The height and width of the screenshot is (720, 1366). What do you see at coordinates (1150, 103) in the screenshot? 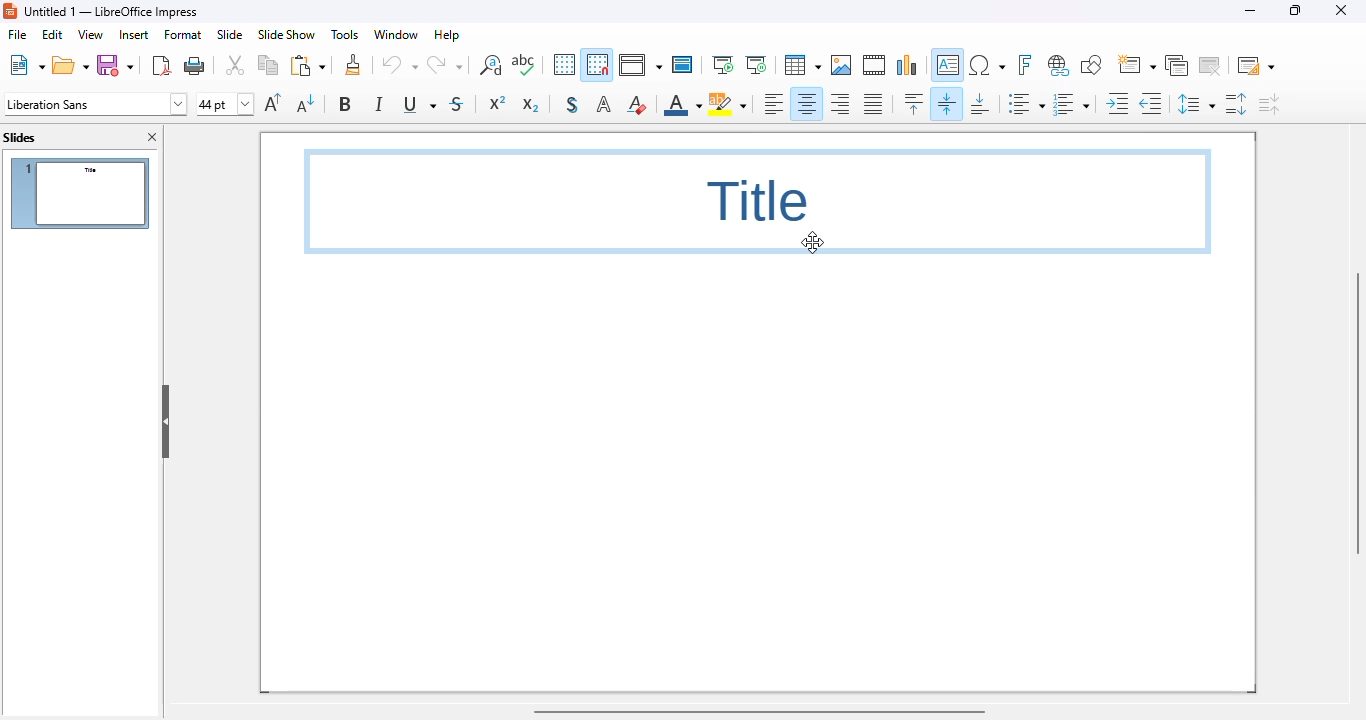
I see `decrease indent` at bounding box center [1150, 103].